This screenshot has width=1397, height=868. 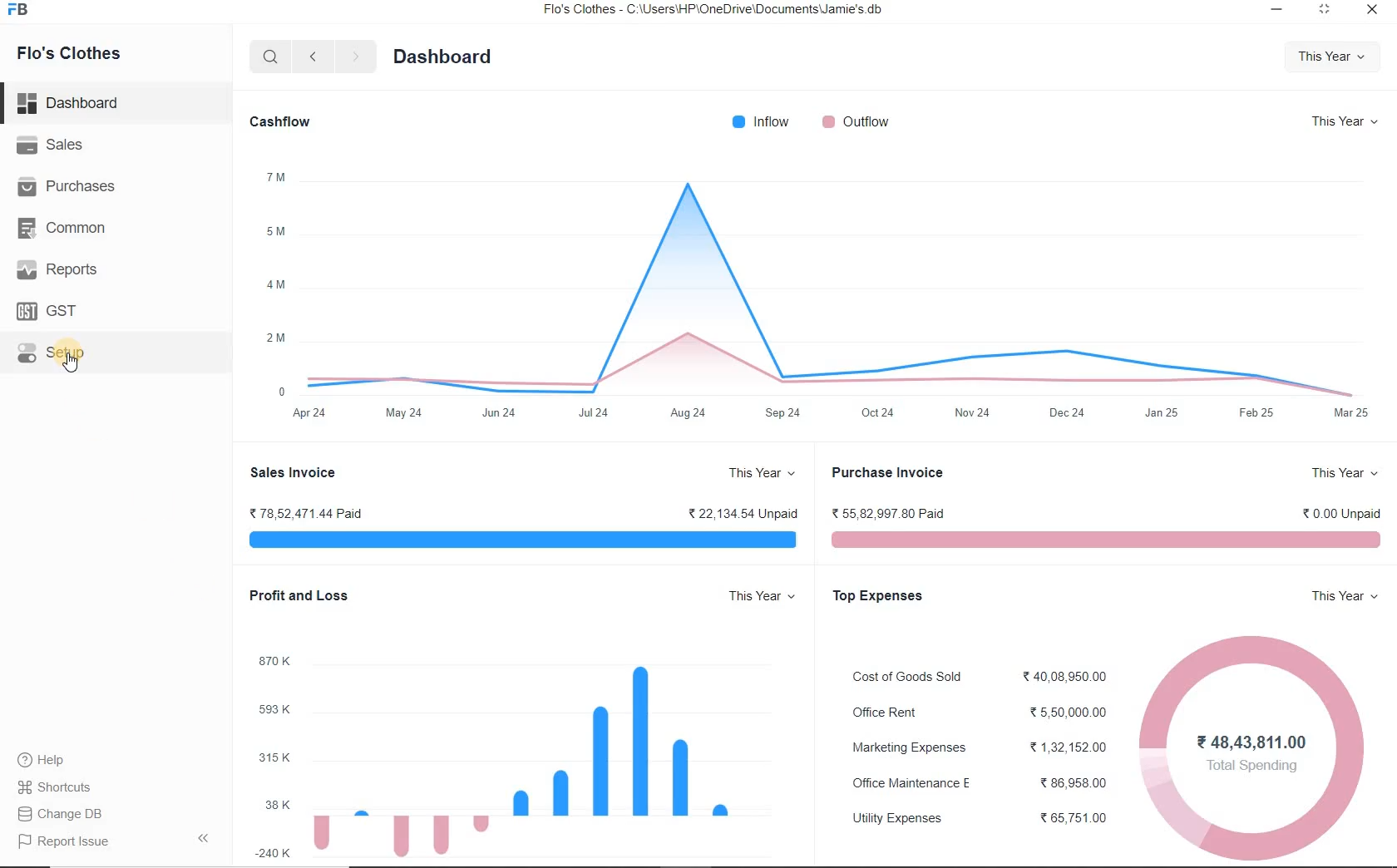 What do you see at coordinates (1159, 413) in the screenshot?
I see `Jan 25` at bounding box center [1159, 413].